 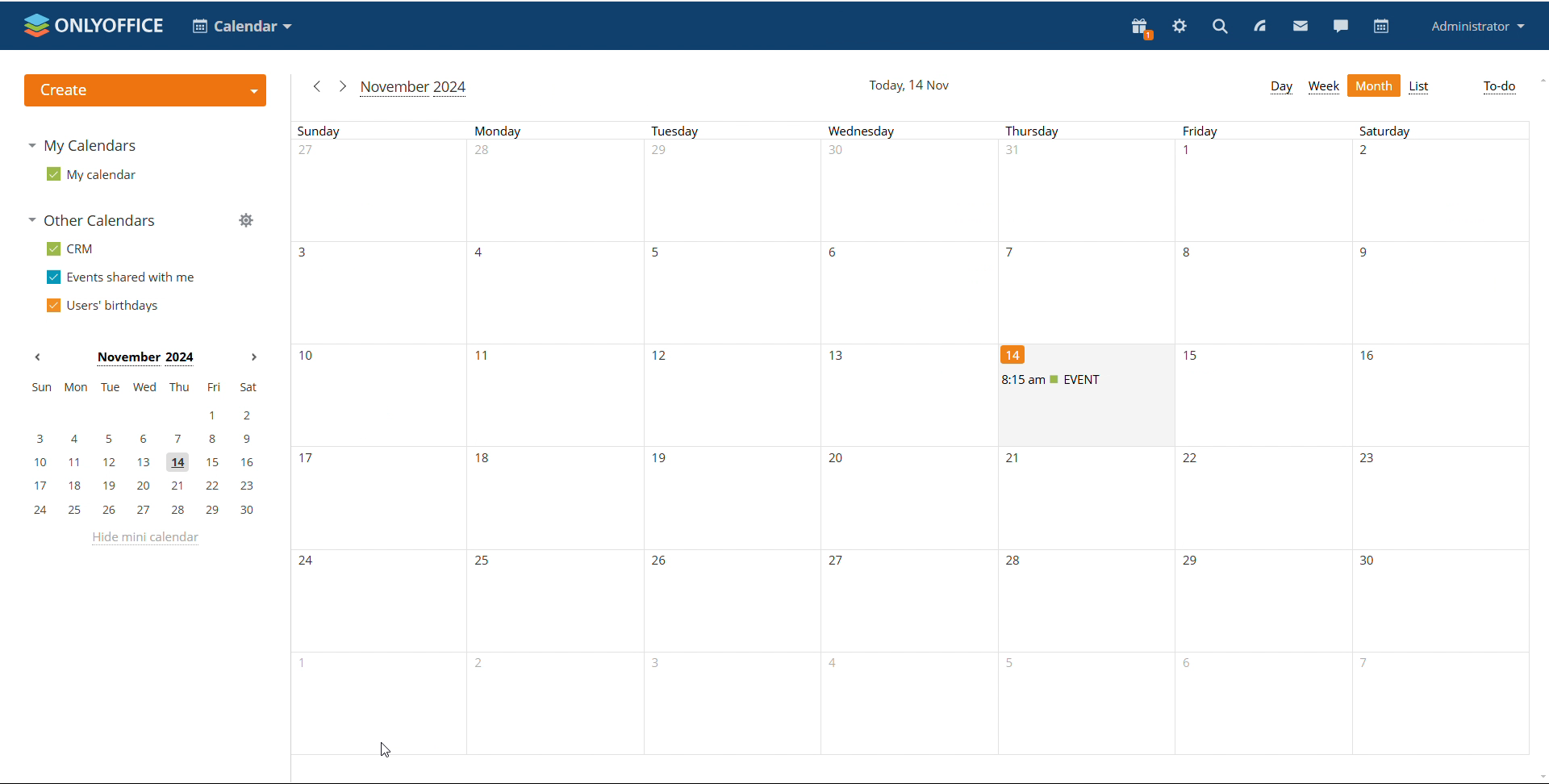 What do you see at coordinates (92, 173) in the screenshot?
I see `my calendar` at bounding box center [92, 173].